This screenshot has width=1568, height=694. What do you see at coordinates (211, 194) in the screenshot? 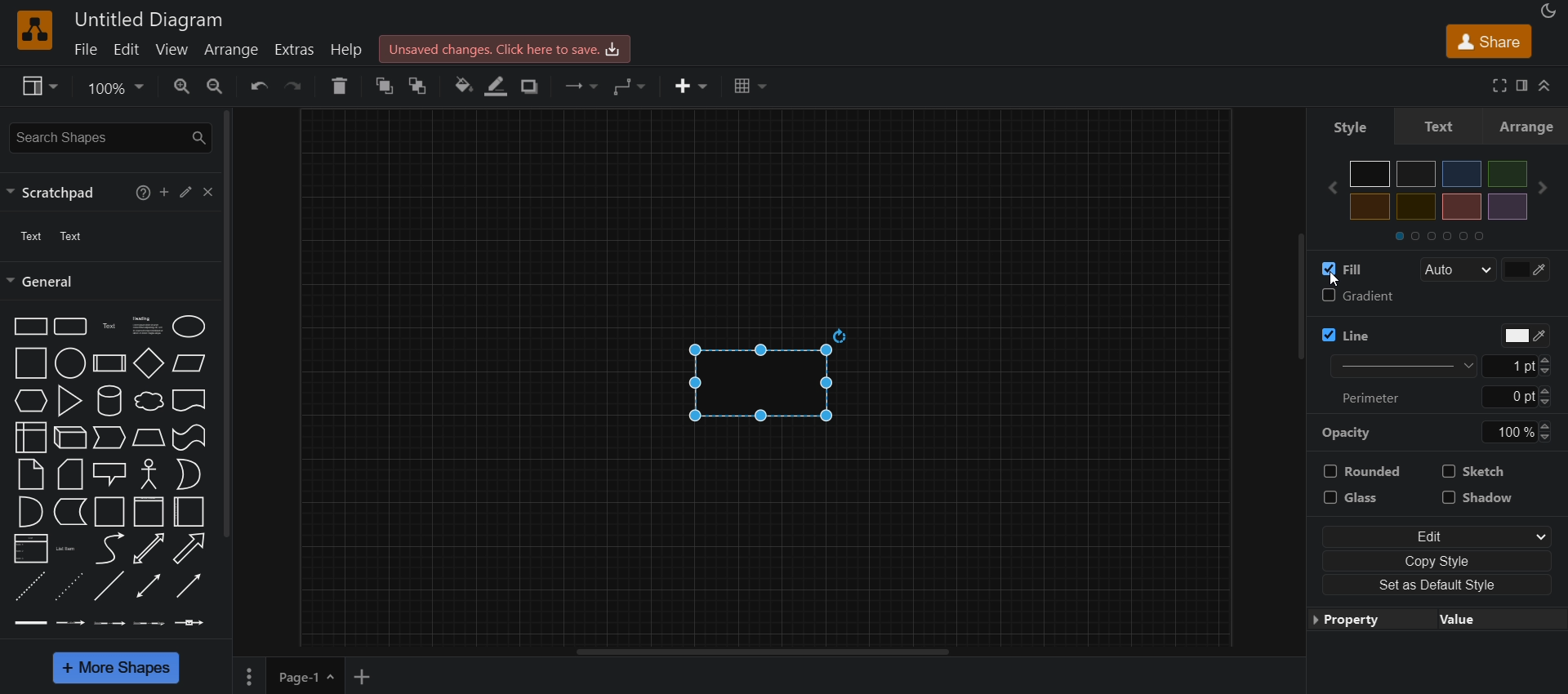
I see `close` at bounding box center [211, 194].